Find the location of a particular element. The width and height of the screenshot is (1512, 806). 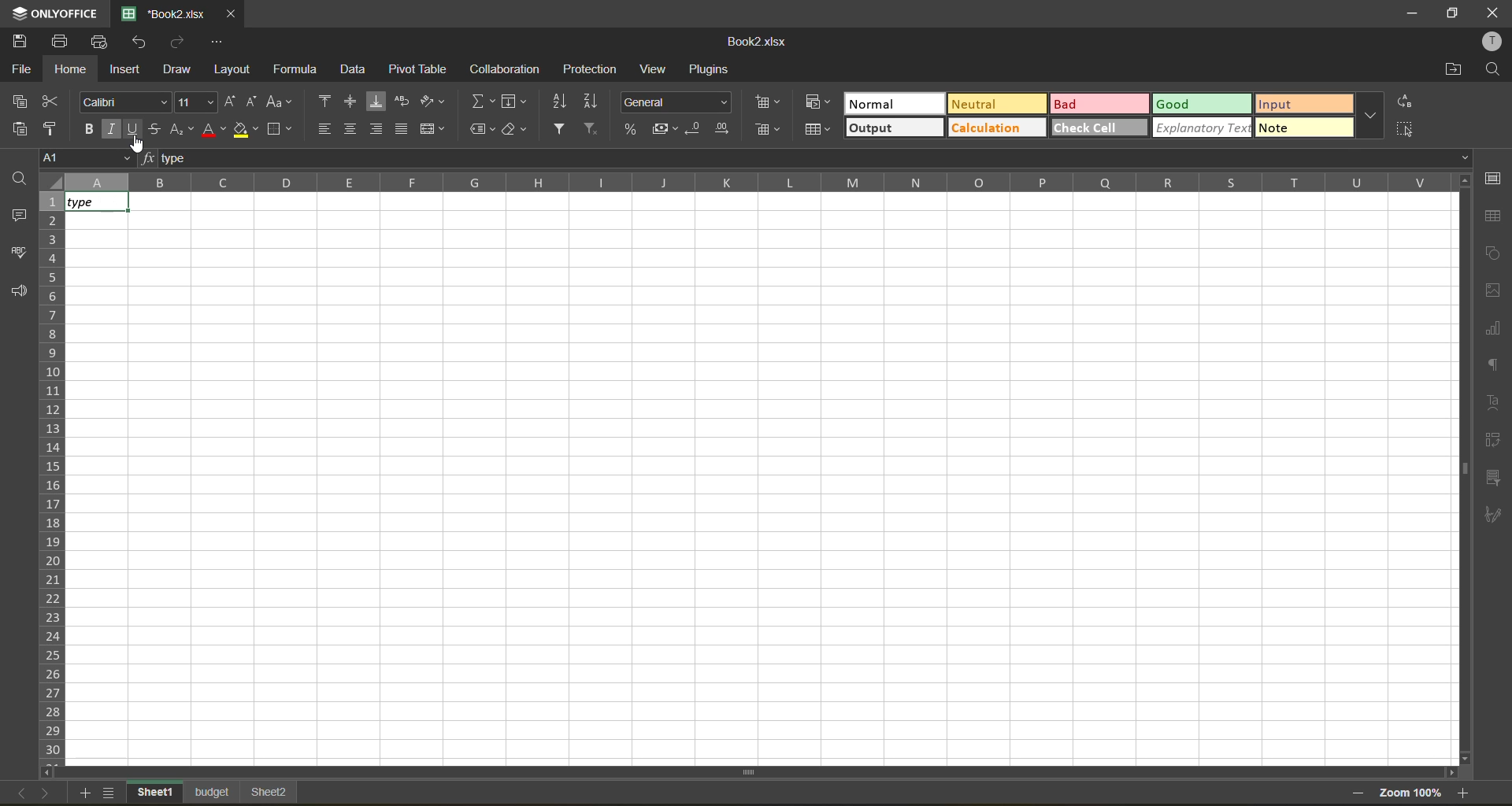

customize quick access toolbar is located at coordinates (220, 42).